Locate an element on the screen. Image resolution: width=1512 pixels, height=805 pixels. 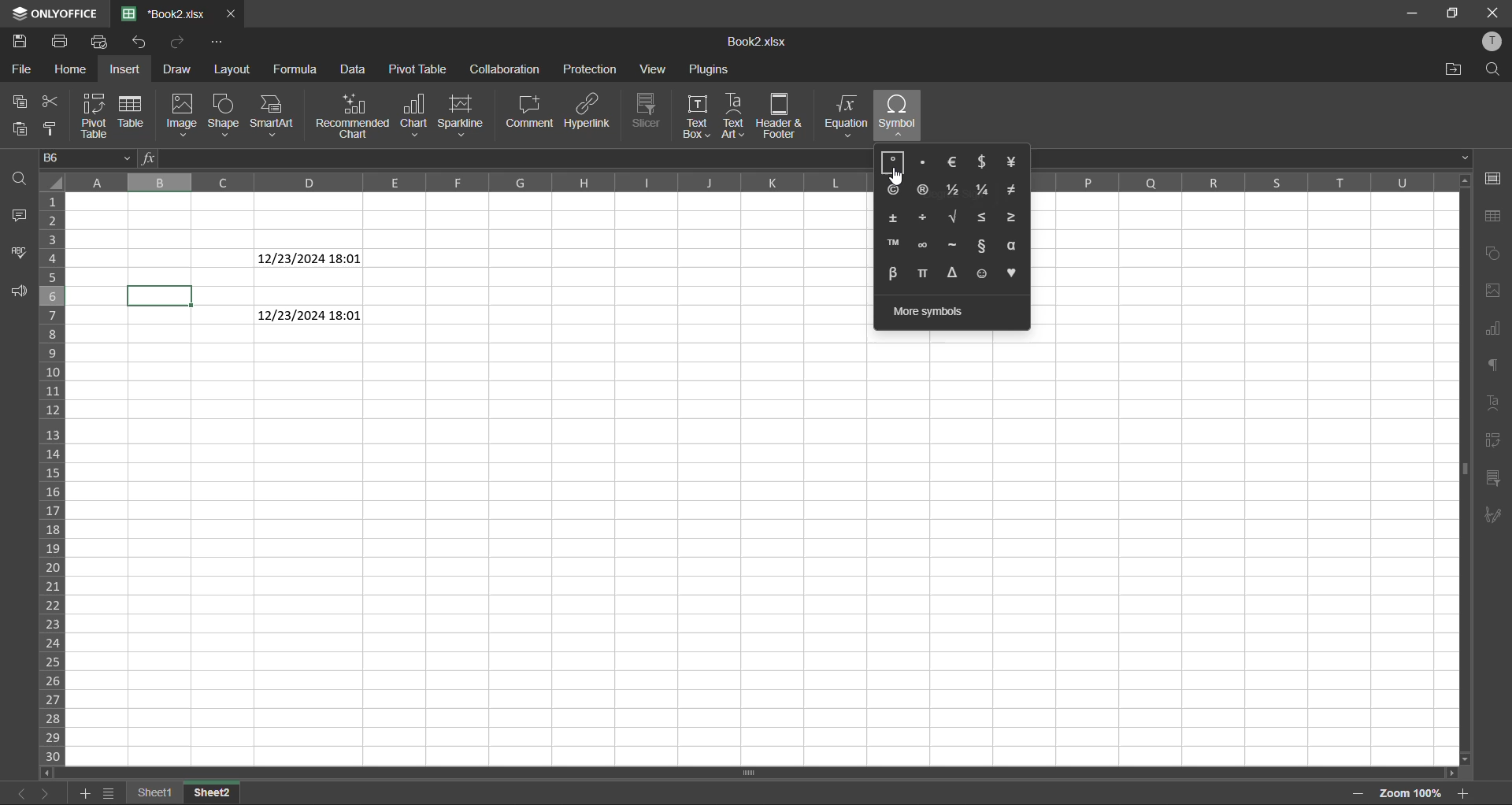
half fraction is located at coordinates (953, 191).